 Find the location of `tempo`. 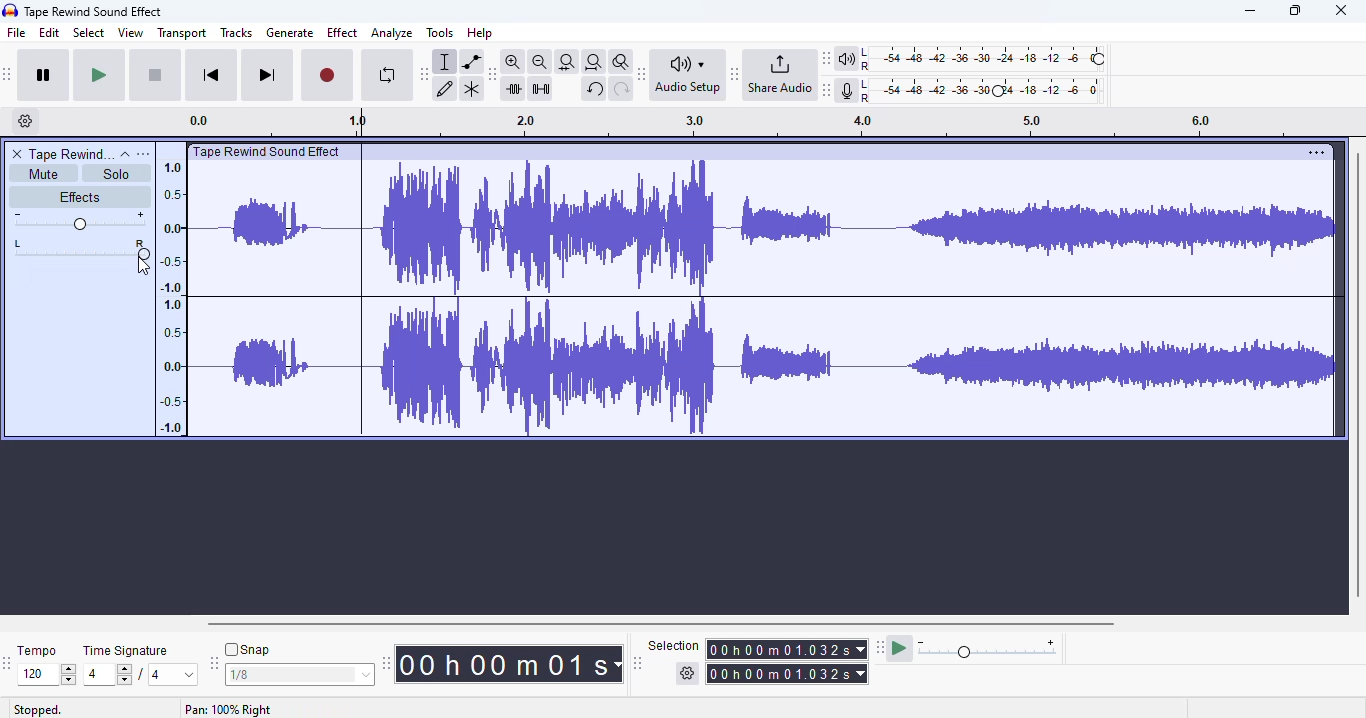

tempo is located at coordinates (36, 650).